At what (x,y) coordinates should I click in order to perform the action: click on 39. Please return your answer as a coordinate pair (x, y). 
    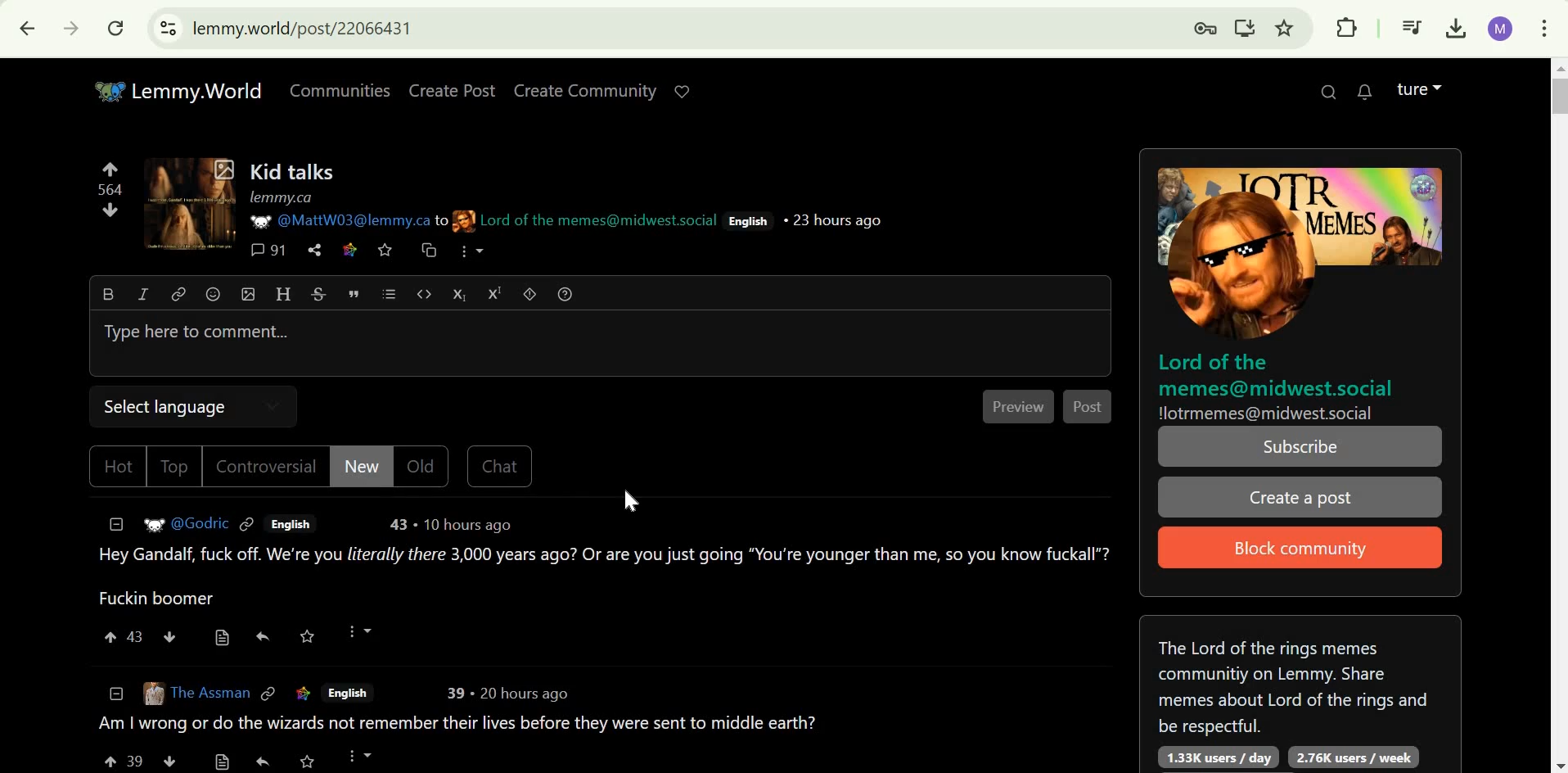
    Looking at the image, I should click on (449, 694).